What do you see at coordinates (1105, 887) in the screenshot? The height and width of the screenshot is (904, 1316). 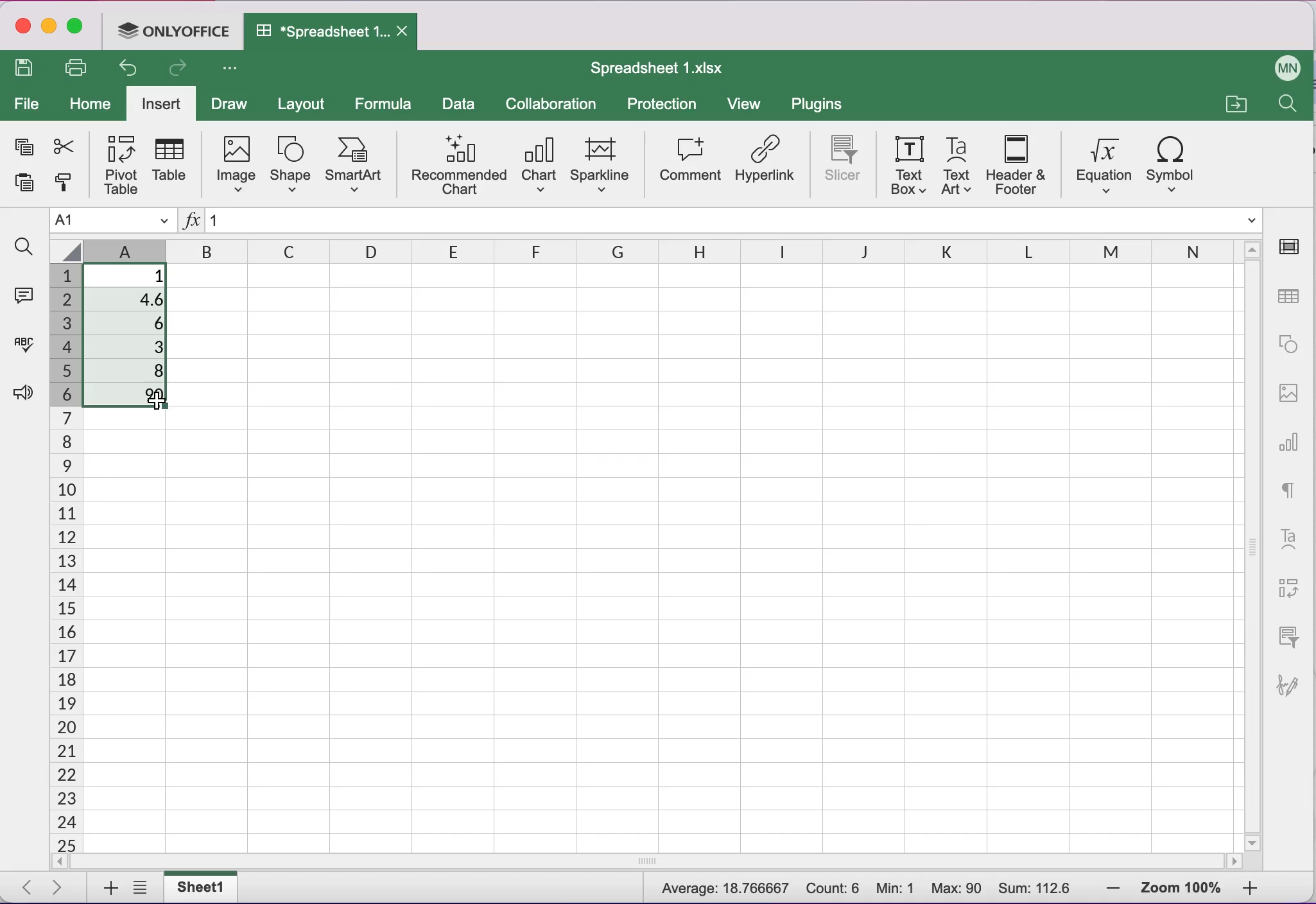 I see `zoom out` at bounding box center [1105, 887].